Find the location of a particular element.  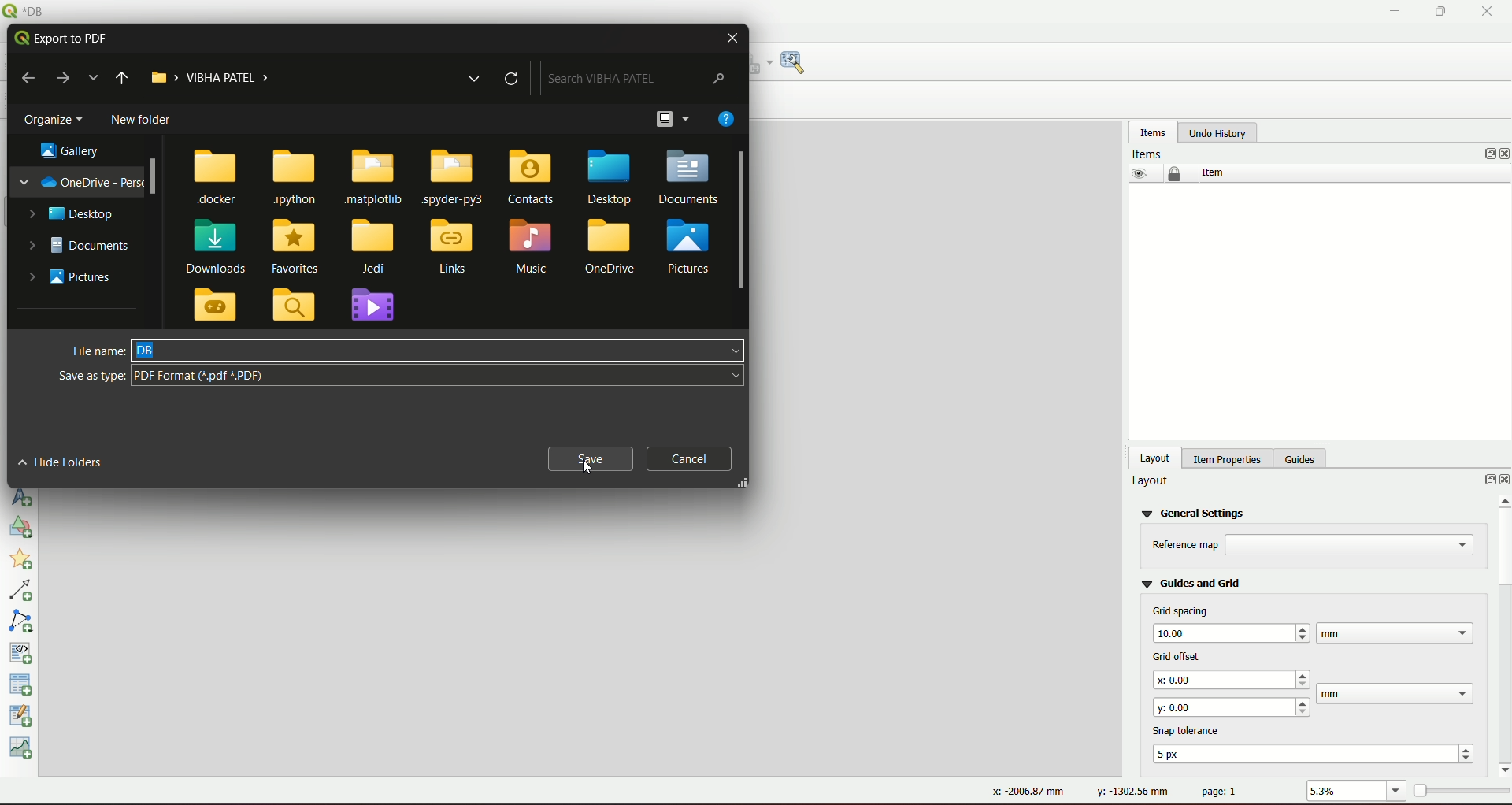

folder is located at coordinates (218, 306).